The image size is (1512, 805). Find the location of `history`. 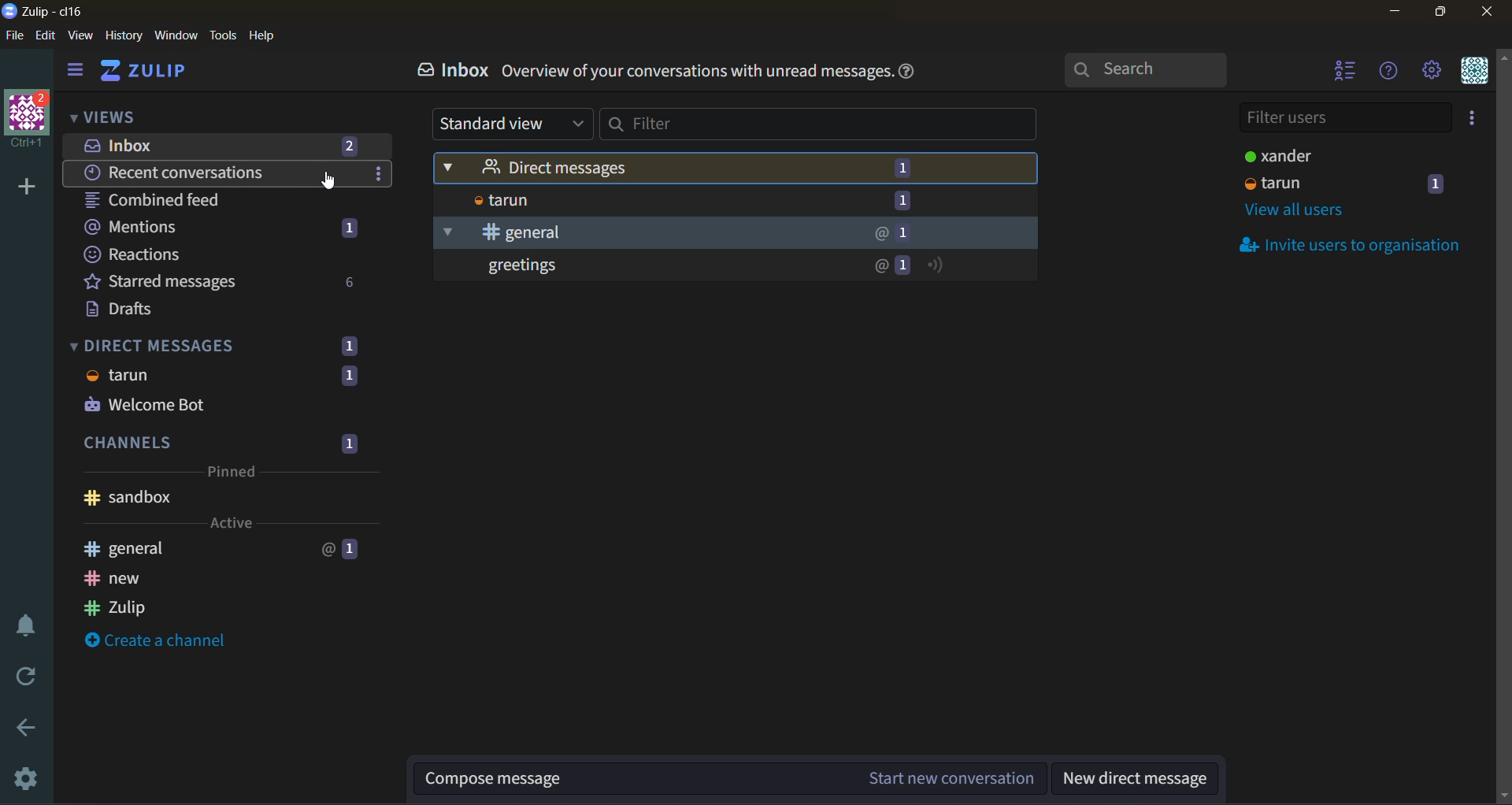

history is located at coordinates (124, 35).